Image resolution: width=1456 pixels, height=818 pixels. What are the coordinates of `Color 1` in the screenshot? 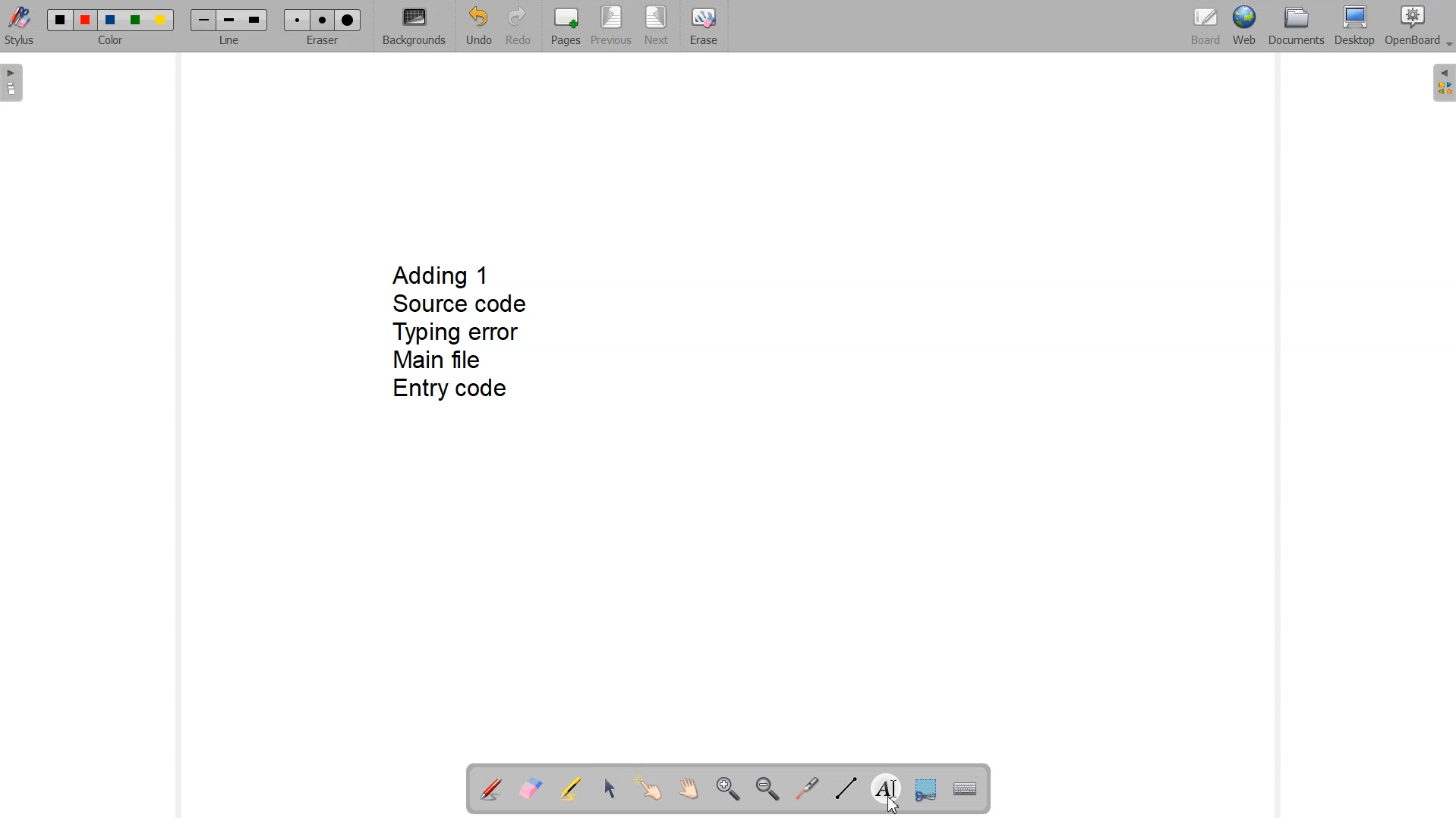 It's located at (61, 20).